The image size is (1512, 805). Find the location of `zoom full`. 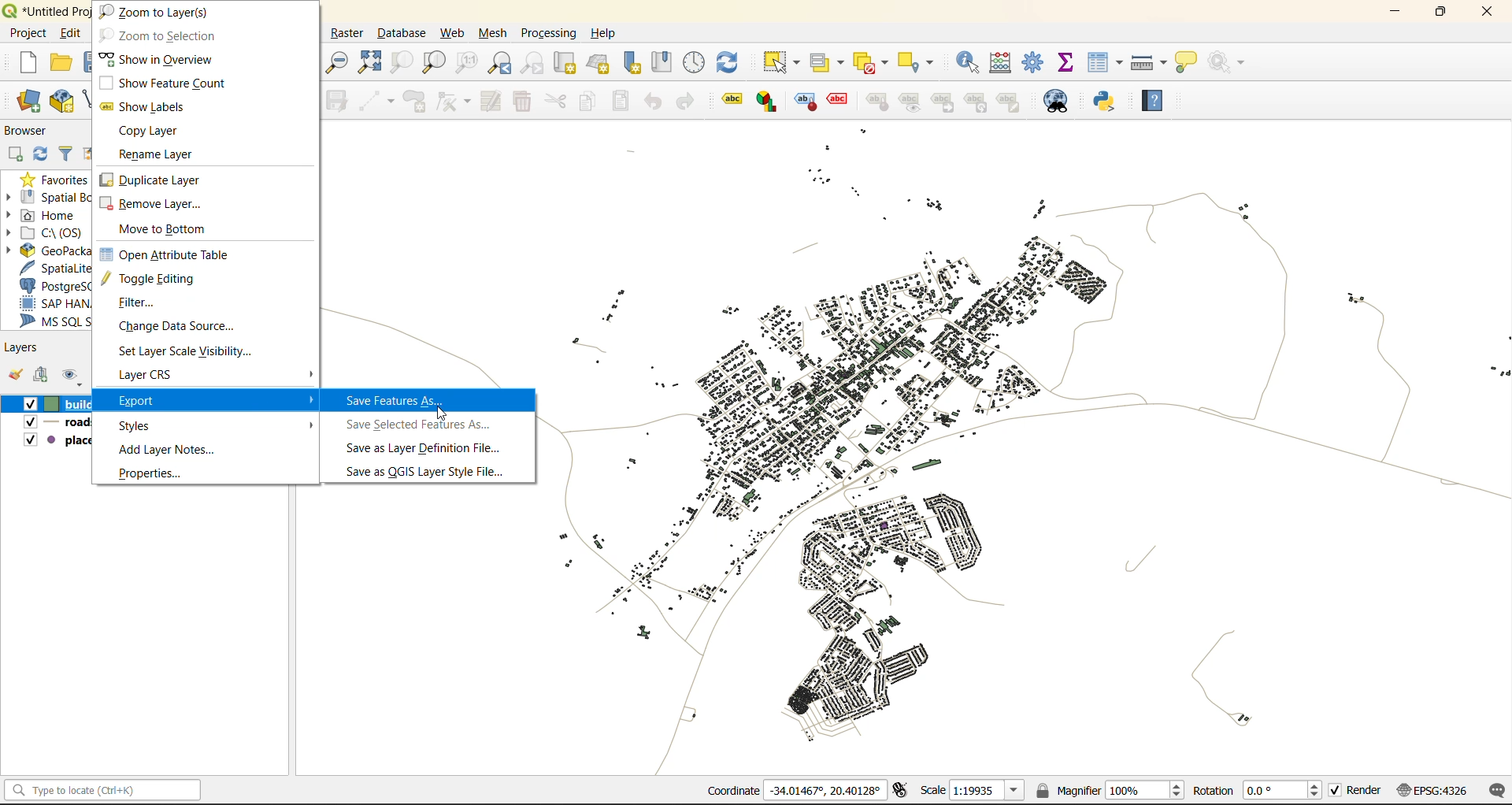

zoom full is located at coordinates (369, 62).